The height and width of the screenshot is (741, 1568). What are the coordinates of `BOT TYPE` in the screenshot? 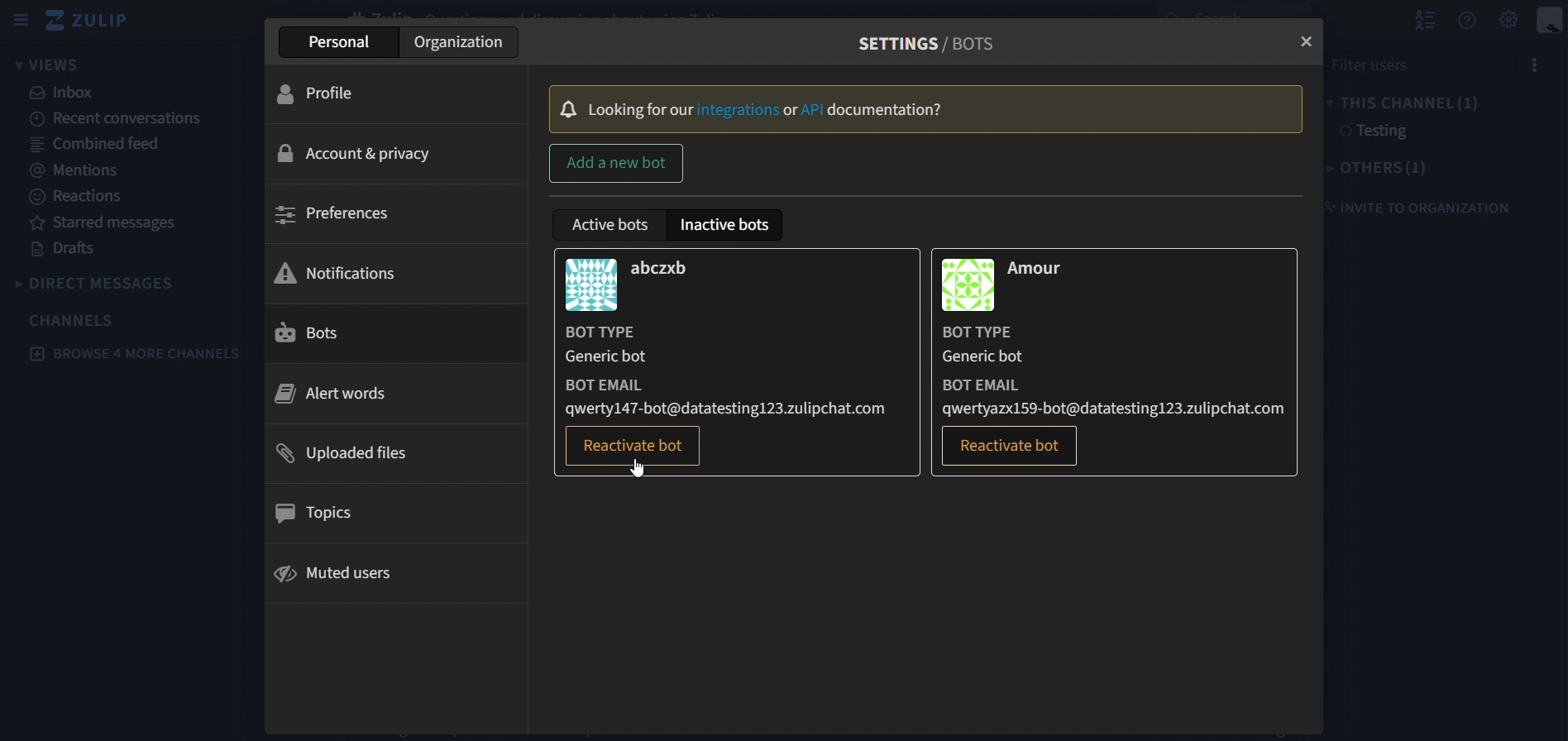 It's located at (983, 332).